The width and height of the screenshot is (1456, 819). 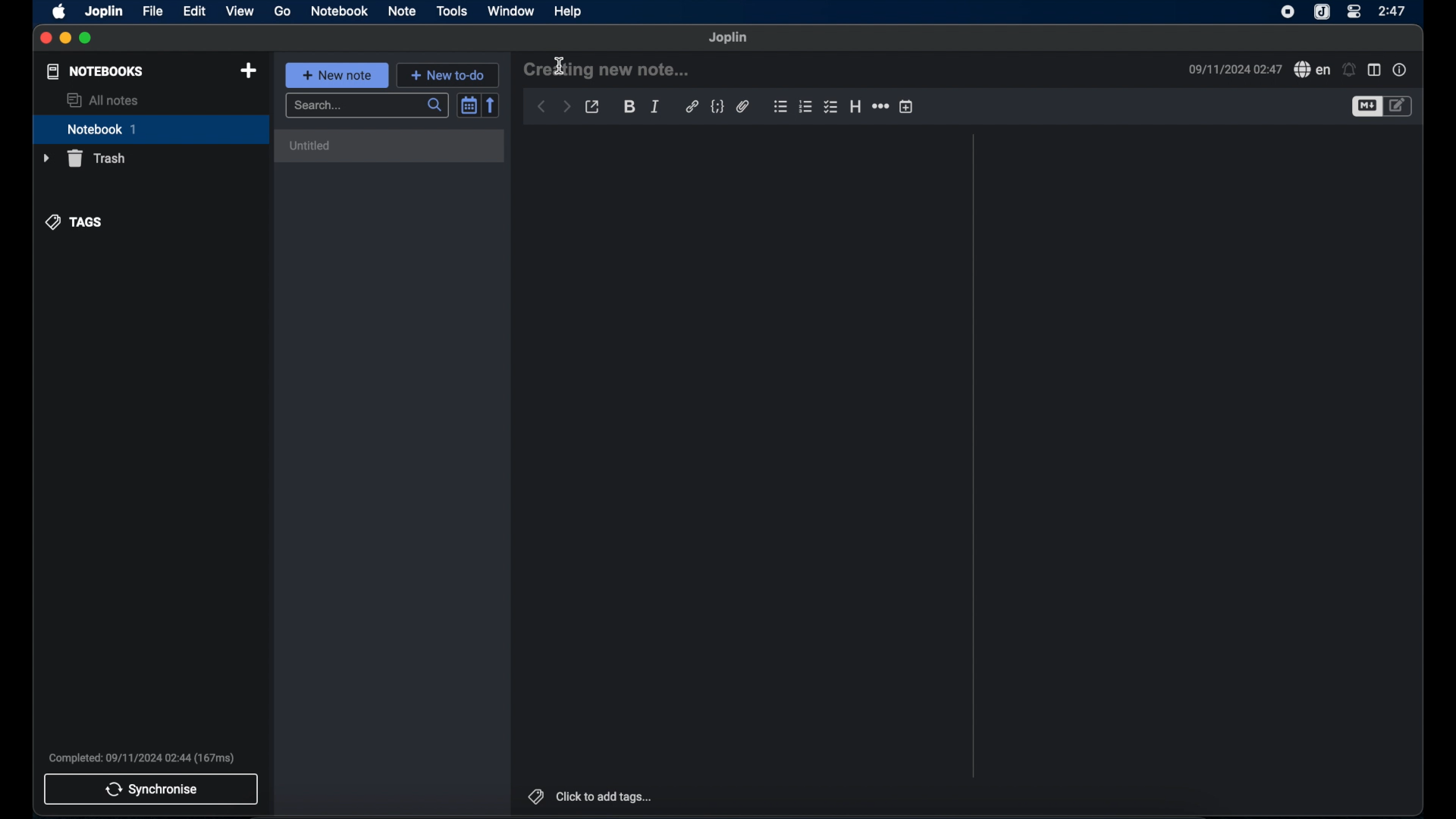 I want to click on 09/11/2024 02:47, so click(x=1233, y=67).